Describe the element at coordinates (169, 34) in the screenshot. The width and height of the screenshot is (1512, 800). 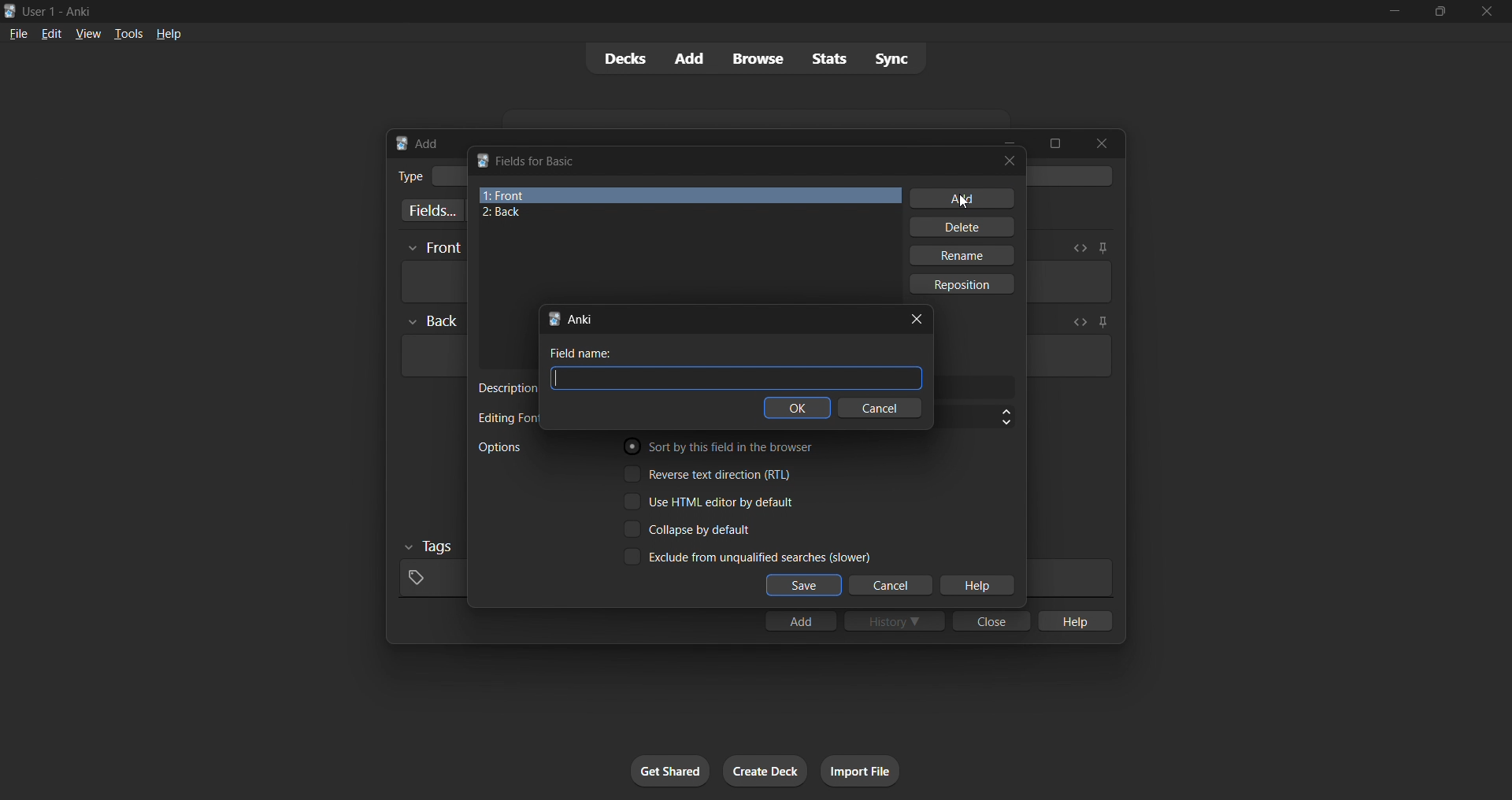
I see `help` at that location.